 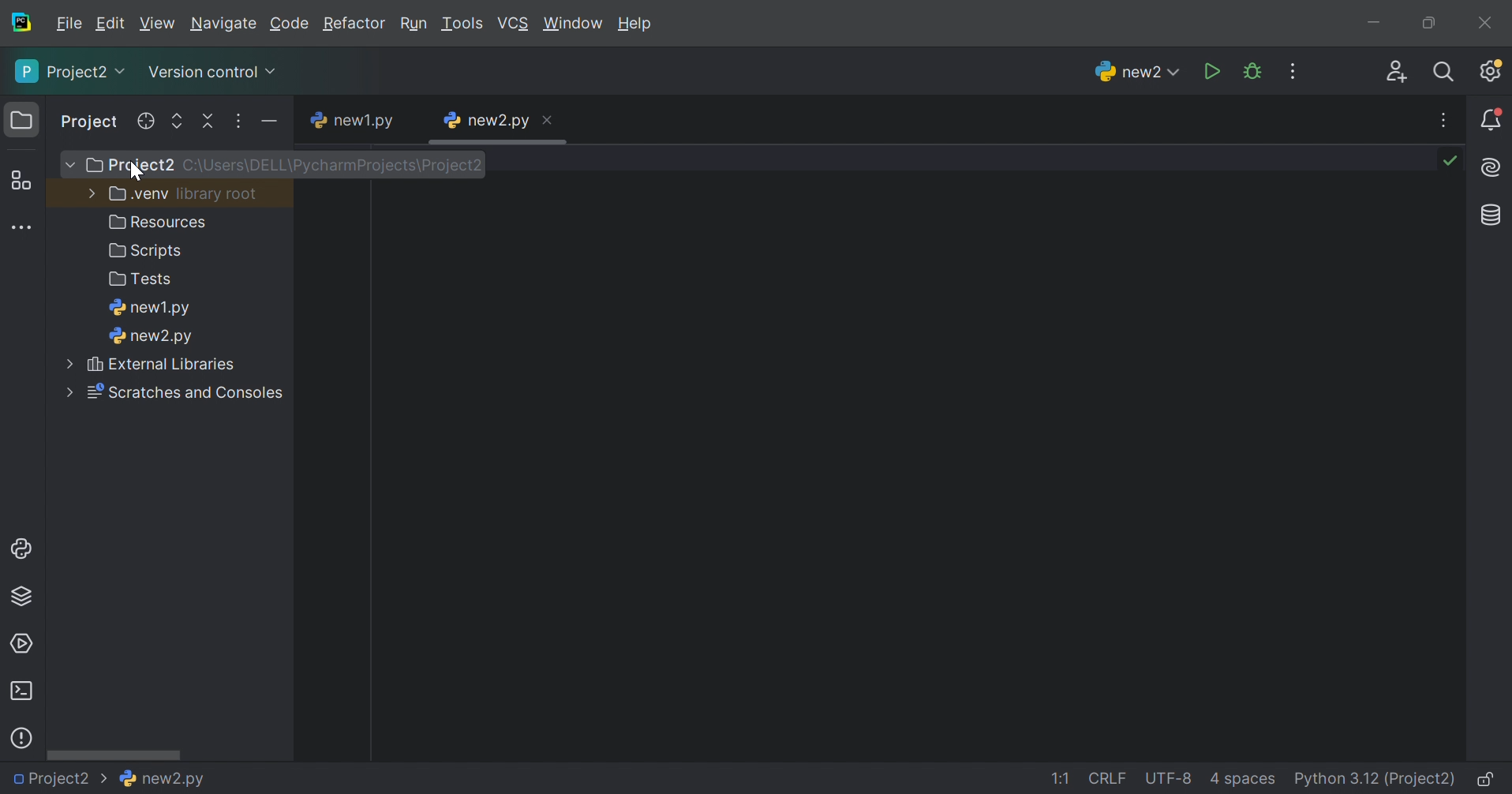 What do you see at coordinates (1447, 73) in the screenshot?
I see `Search everywhere` at bounding box center [1447, 73].